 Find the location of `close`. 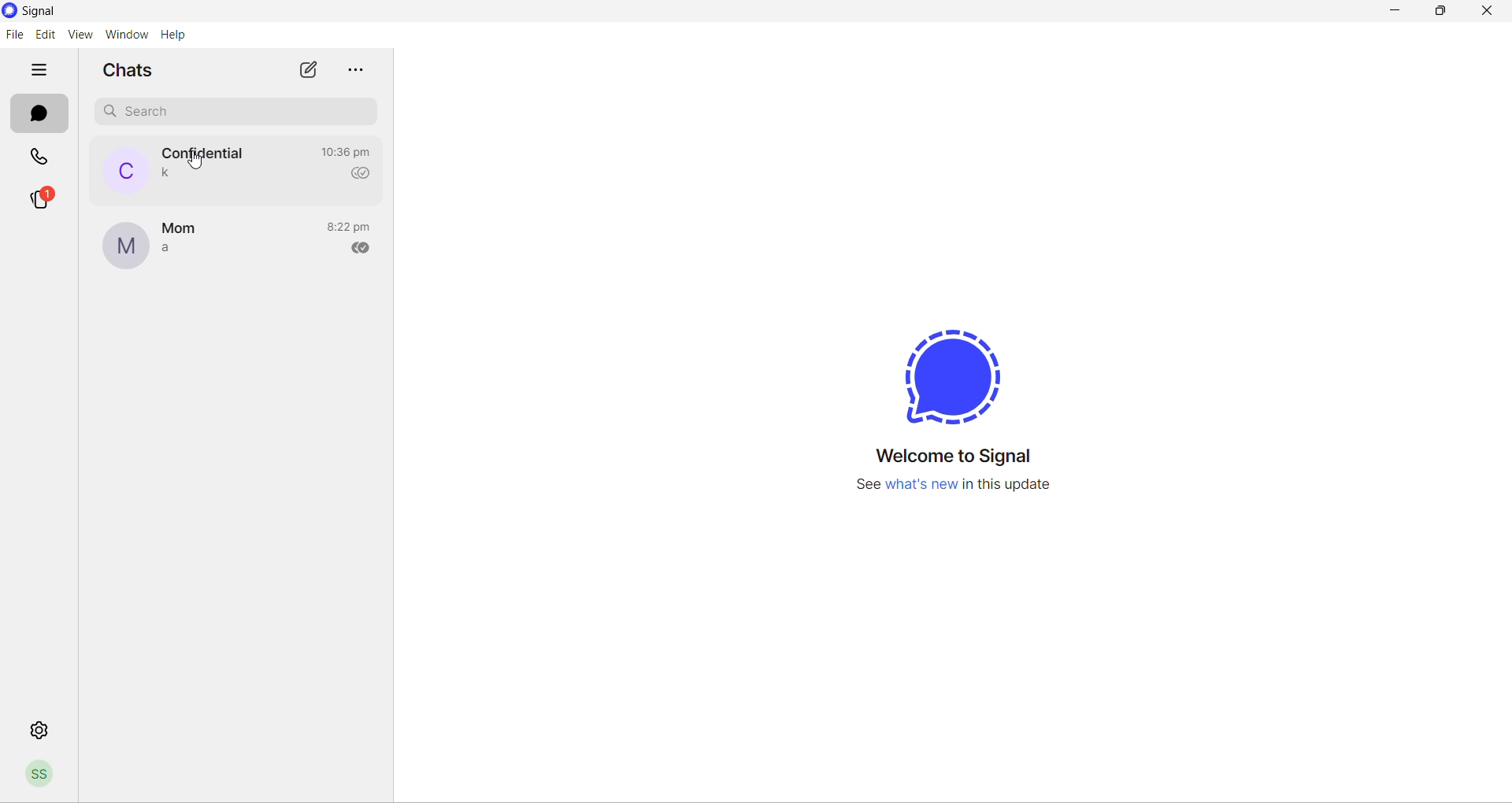

close is located at coordinates (1487, 12).